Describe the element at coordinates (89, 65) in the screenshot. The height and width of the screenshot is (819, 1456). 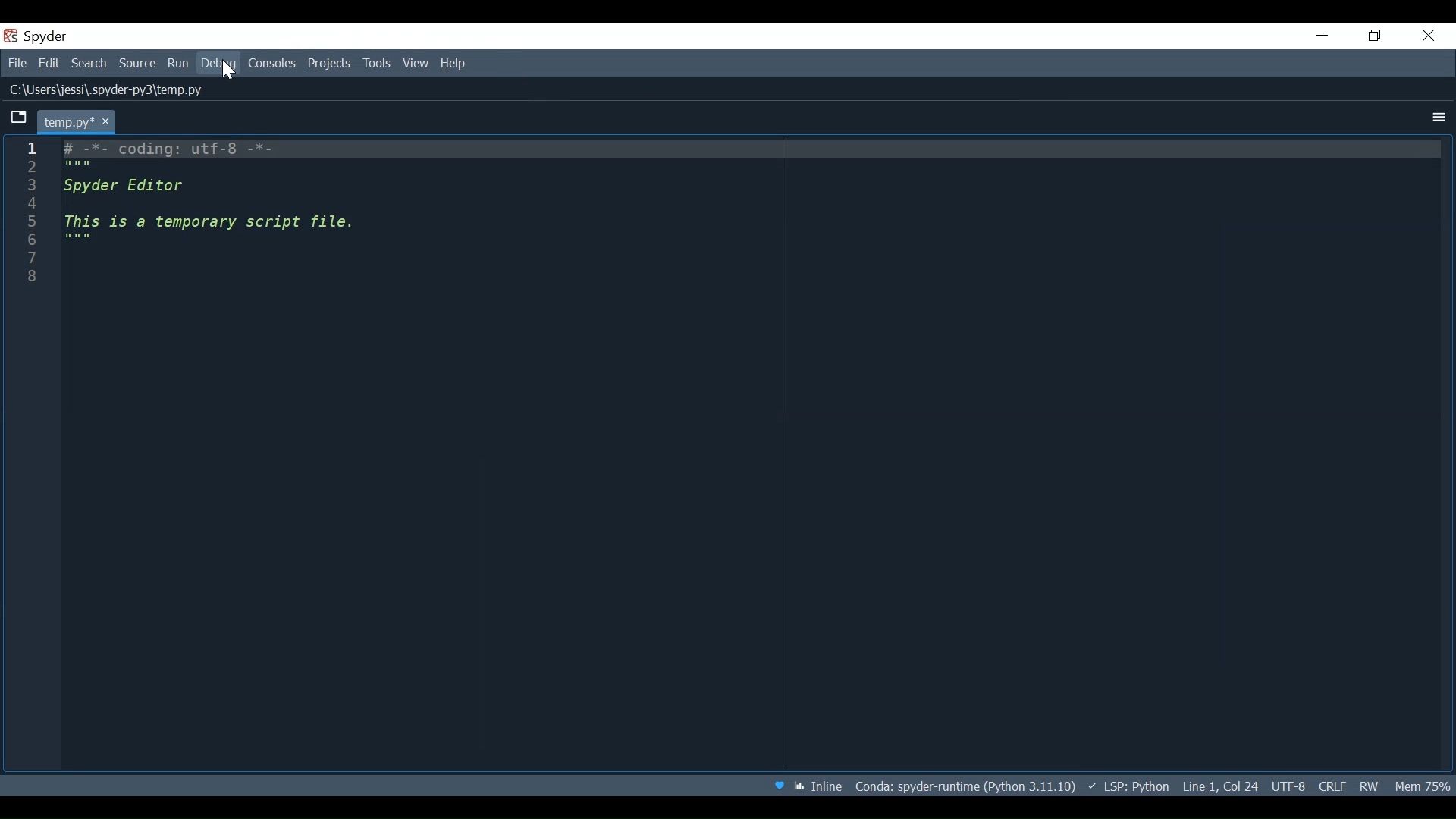
I see `Search` at that location.